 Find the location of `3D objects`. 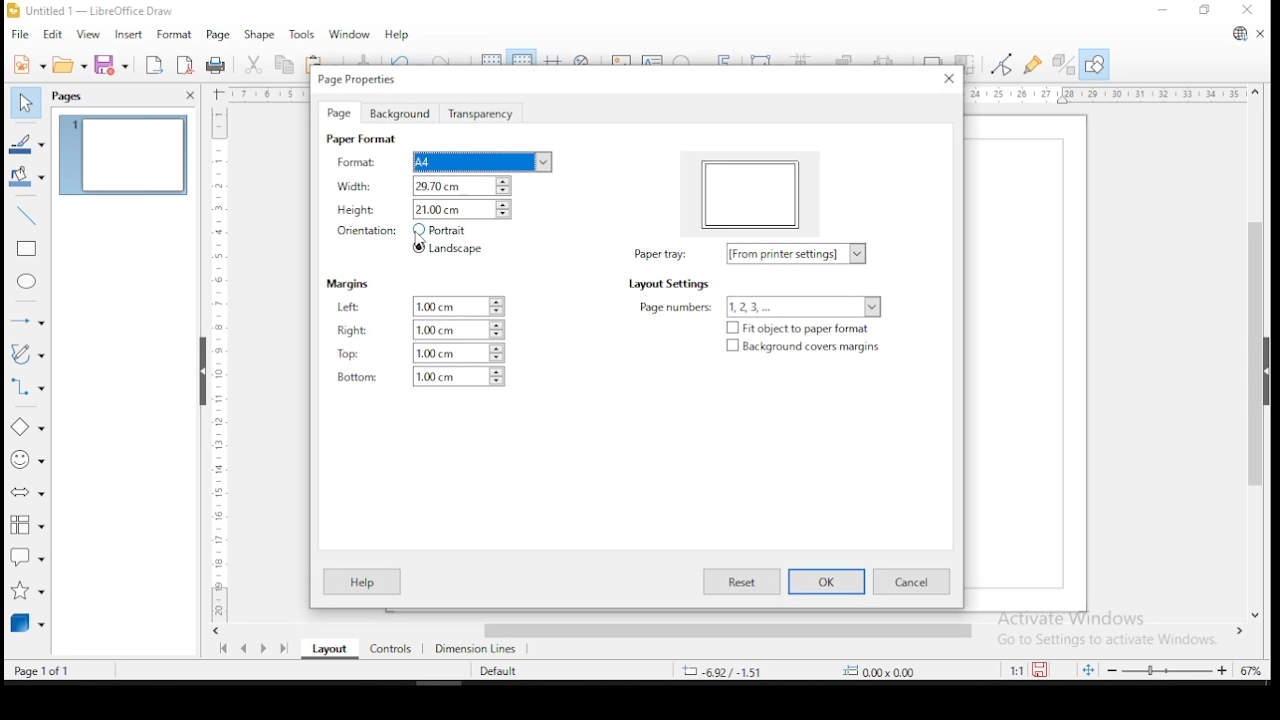

3D objects is located at coordinates (27, 624).